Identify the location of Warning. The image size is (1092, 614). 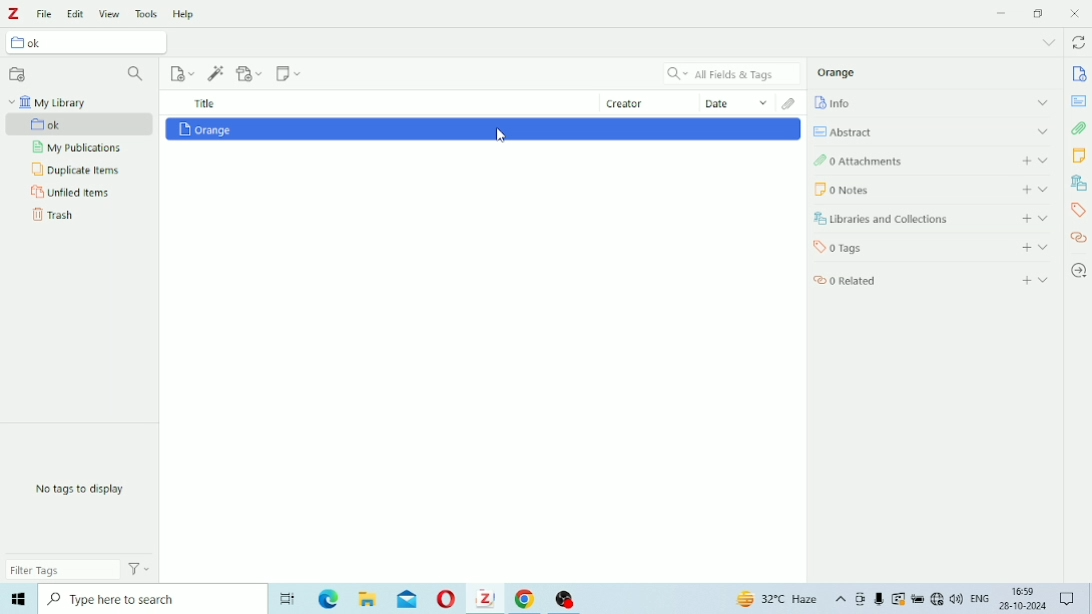
(899, 599).